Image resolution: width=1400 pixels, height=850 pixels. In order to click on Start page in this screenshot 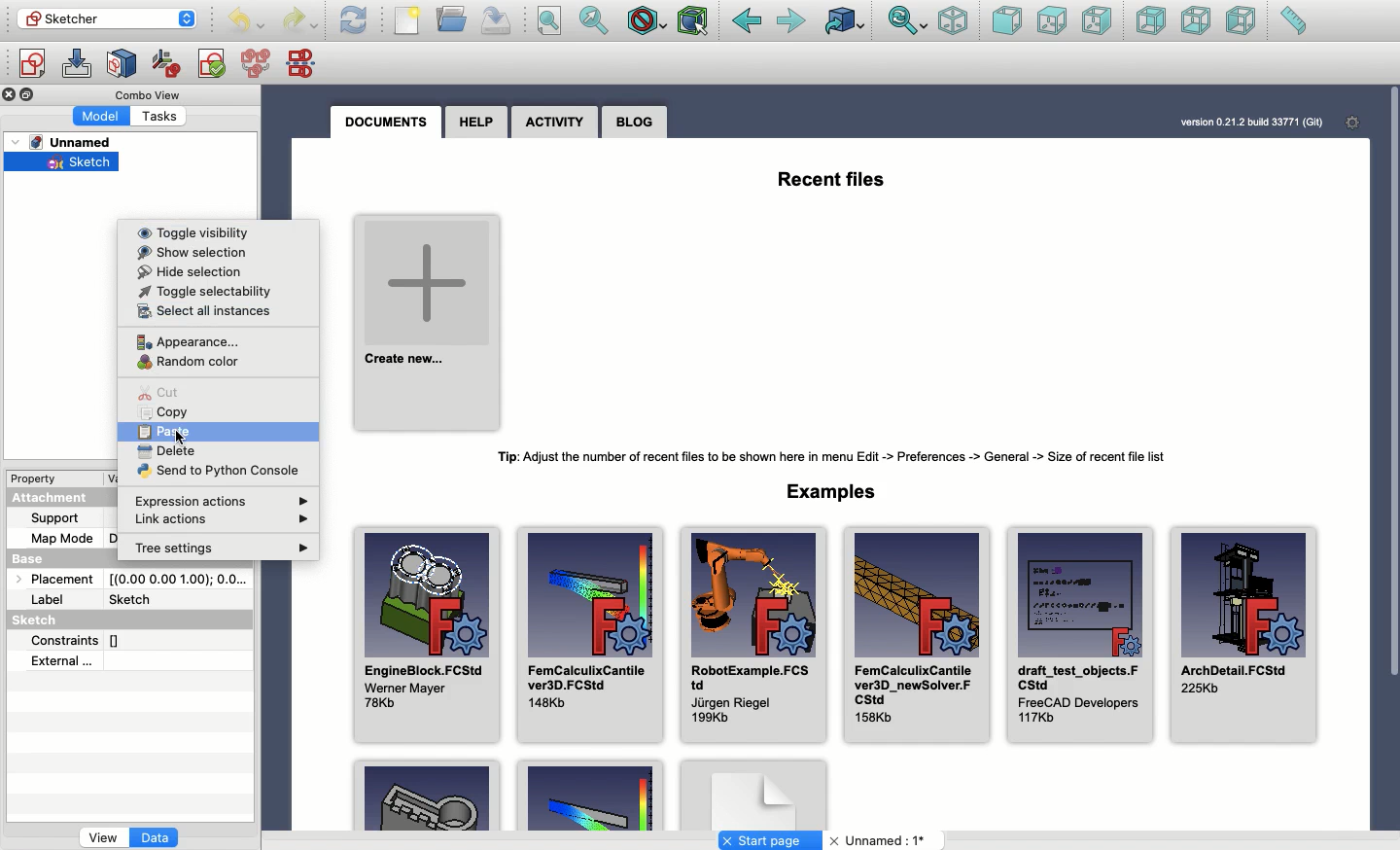, I will do `click(770, 840)`.